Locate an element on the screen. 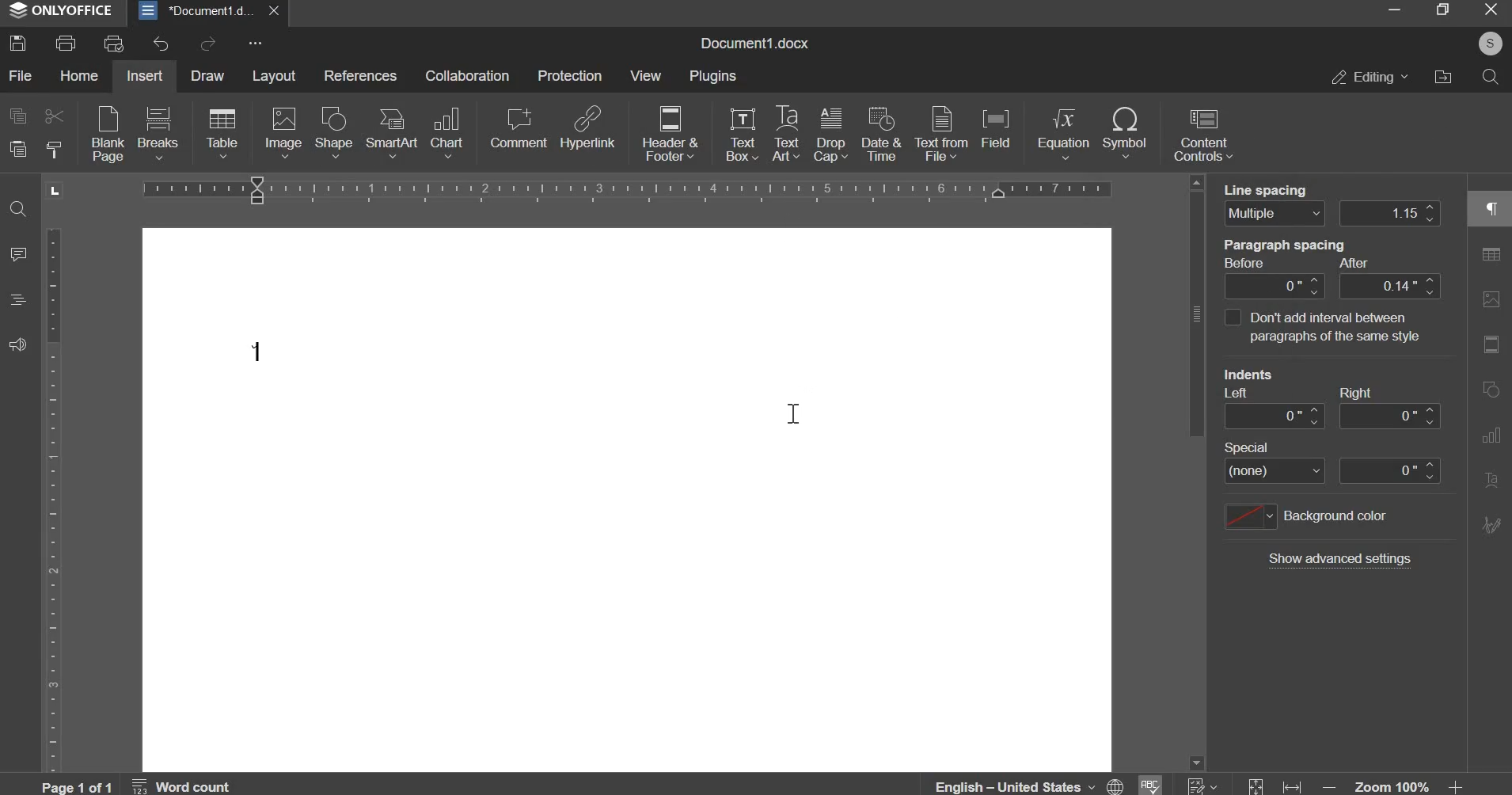  word count is located at coordinates (183, 785).